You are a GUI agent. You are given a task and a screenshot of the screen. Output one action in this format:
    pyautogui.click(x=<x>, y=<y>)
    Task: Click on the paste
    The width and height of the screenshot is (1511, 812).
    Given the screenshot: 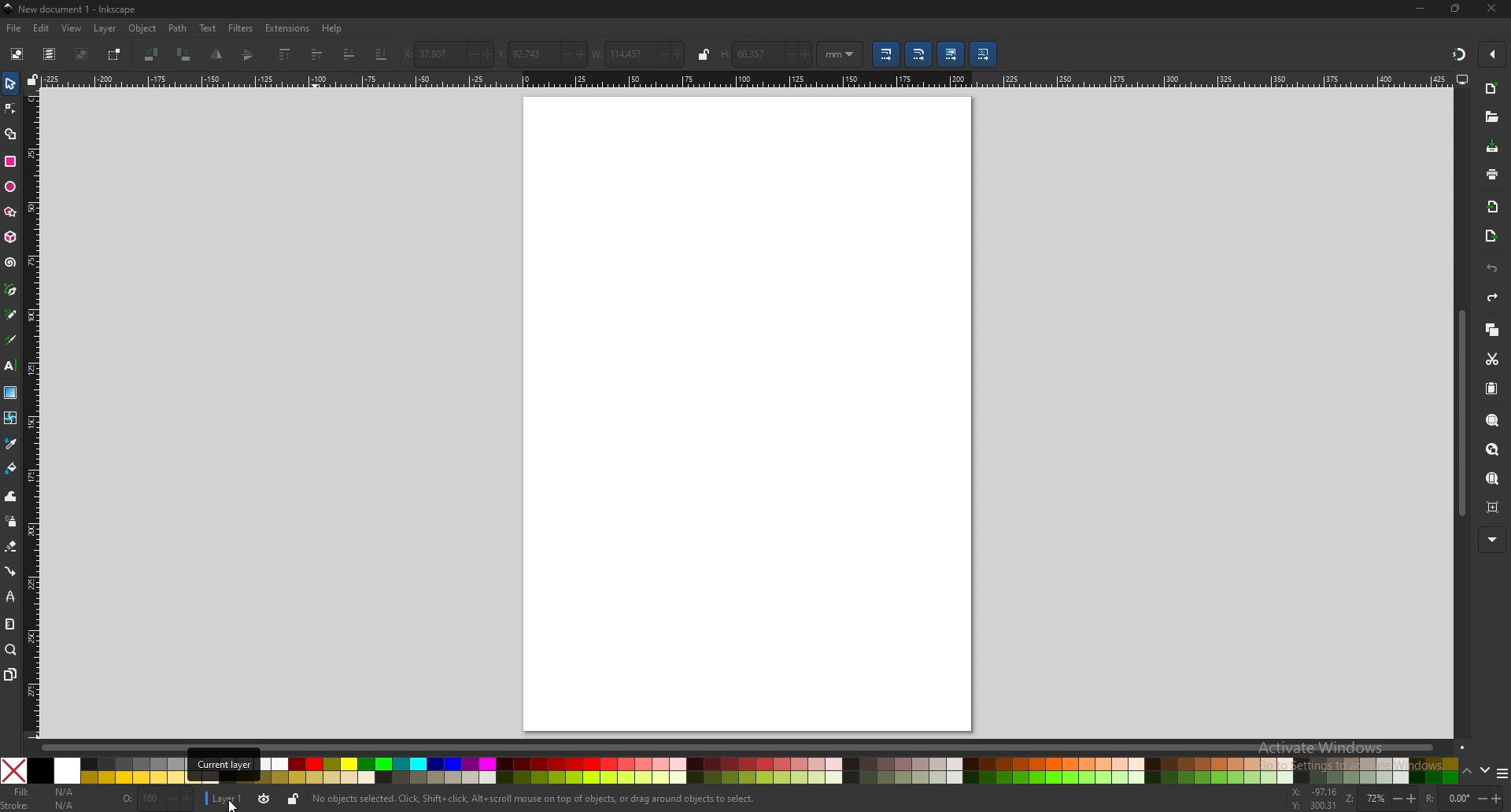 What is the action you would take?
    pyautogui.click(x=1492, y=388)
    